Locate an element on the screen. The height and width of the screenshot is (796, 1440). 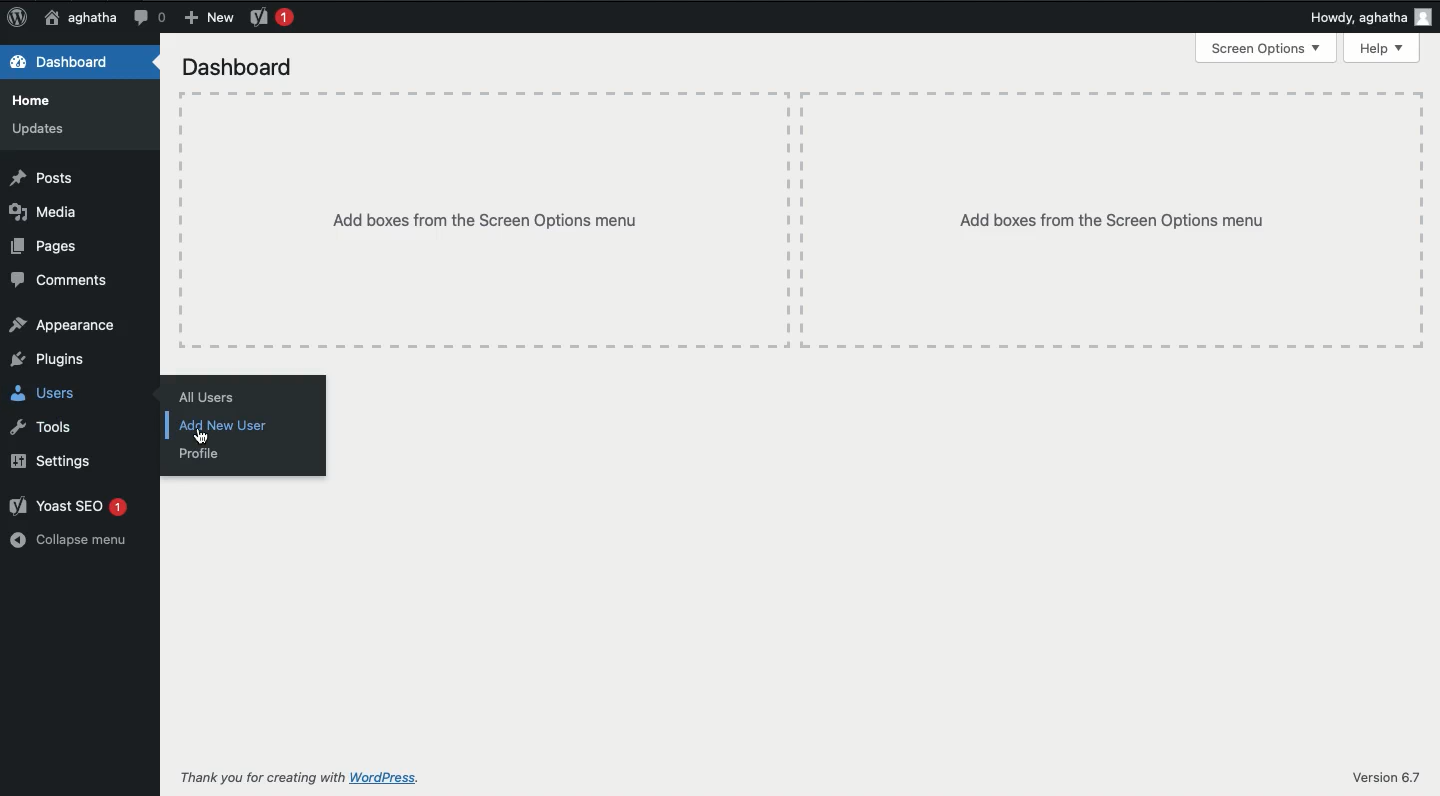
Yoast is located at coordinates (270, 16).